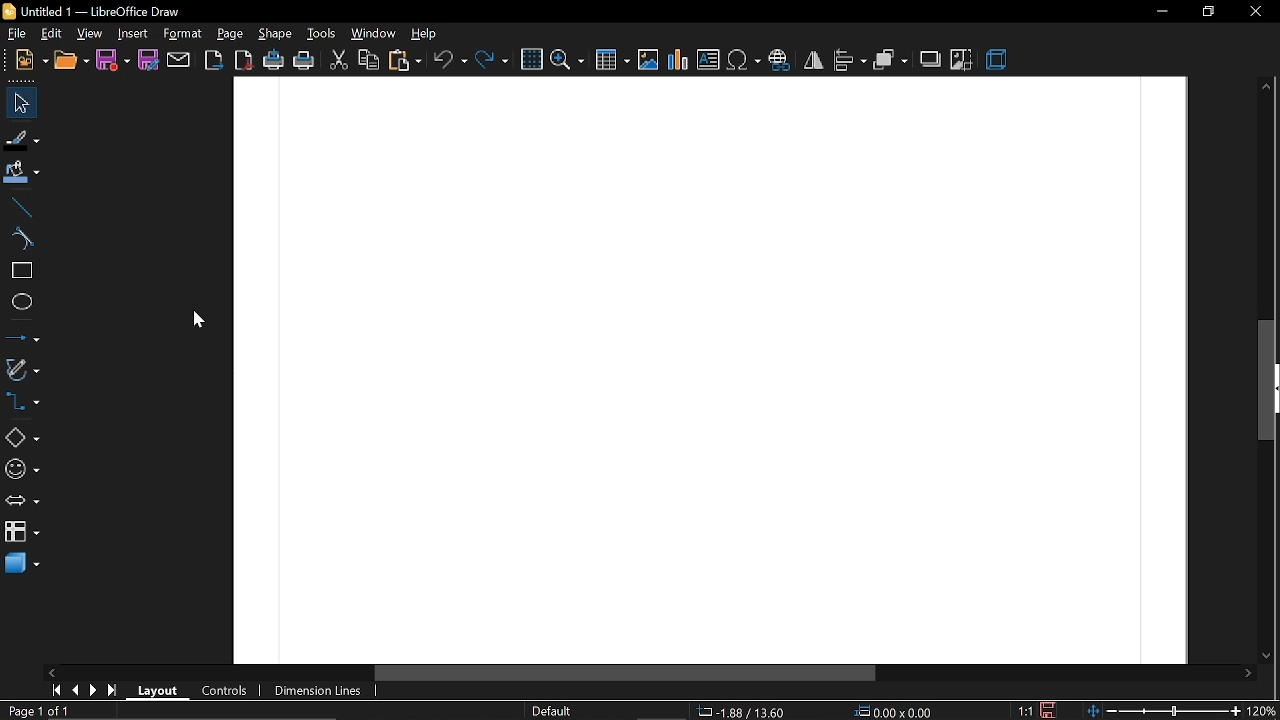 The height and width of the screenshot is (720, 1280). Describe the element at coordinates (41, 711) in the screenshot. I see `Page 1 of 1` at that location.